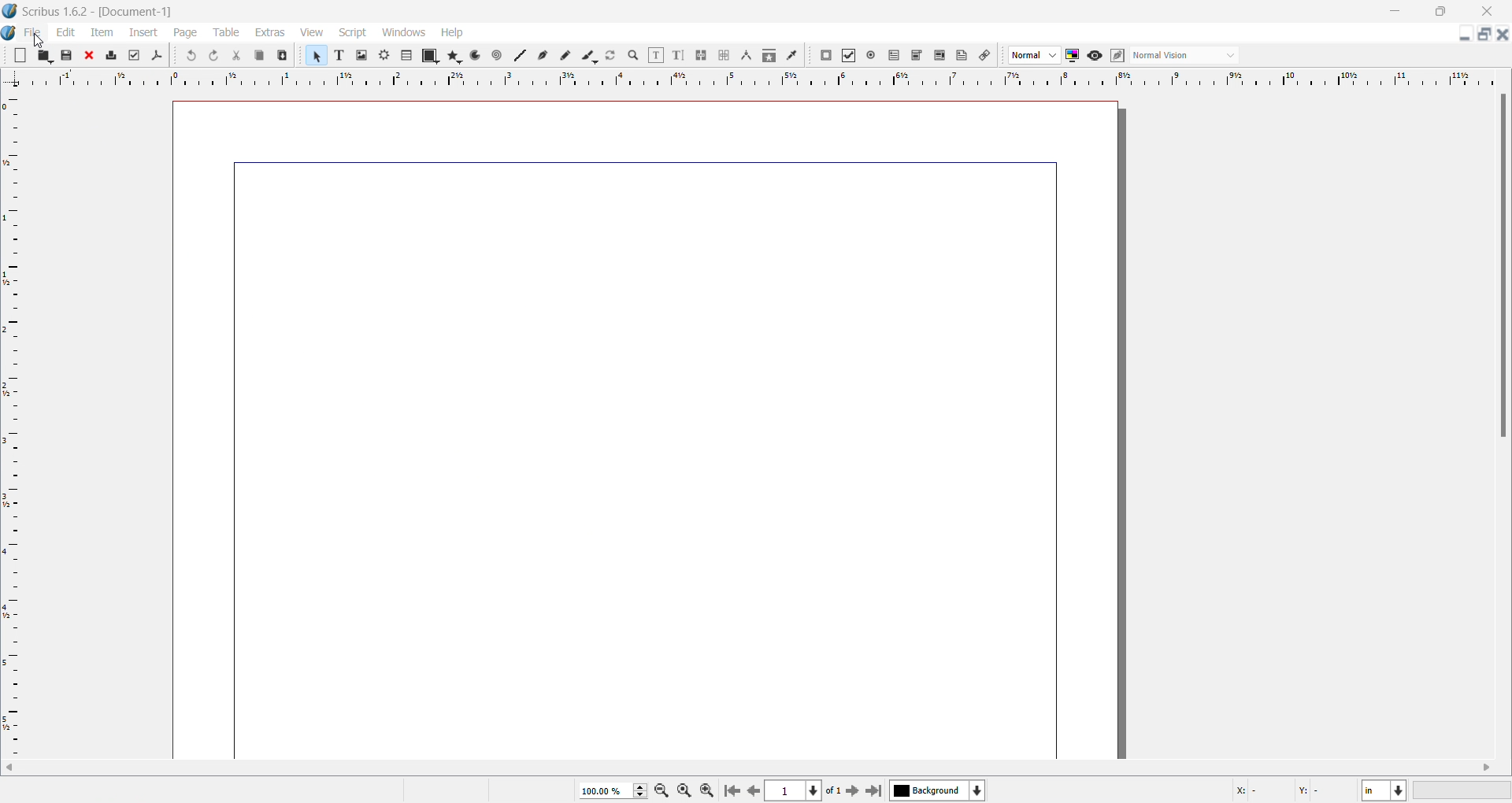  I want to click on page number, so click(801, 792).